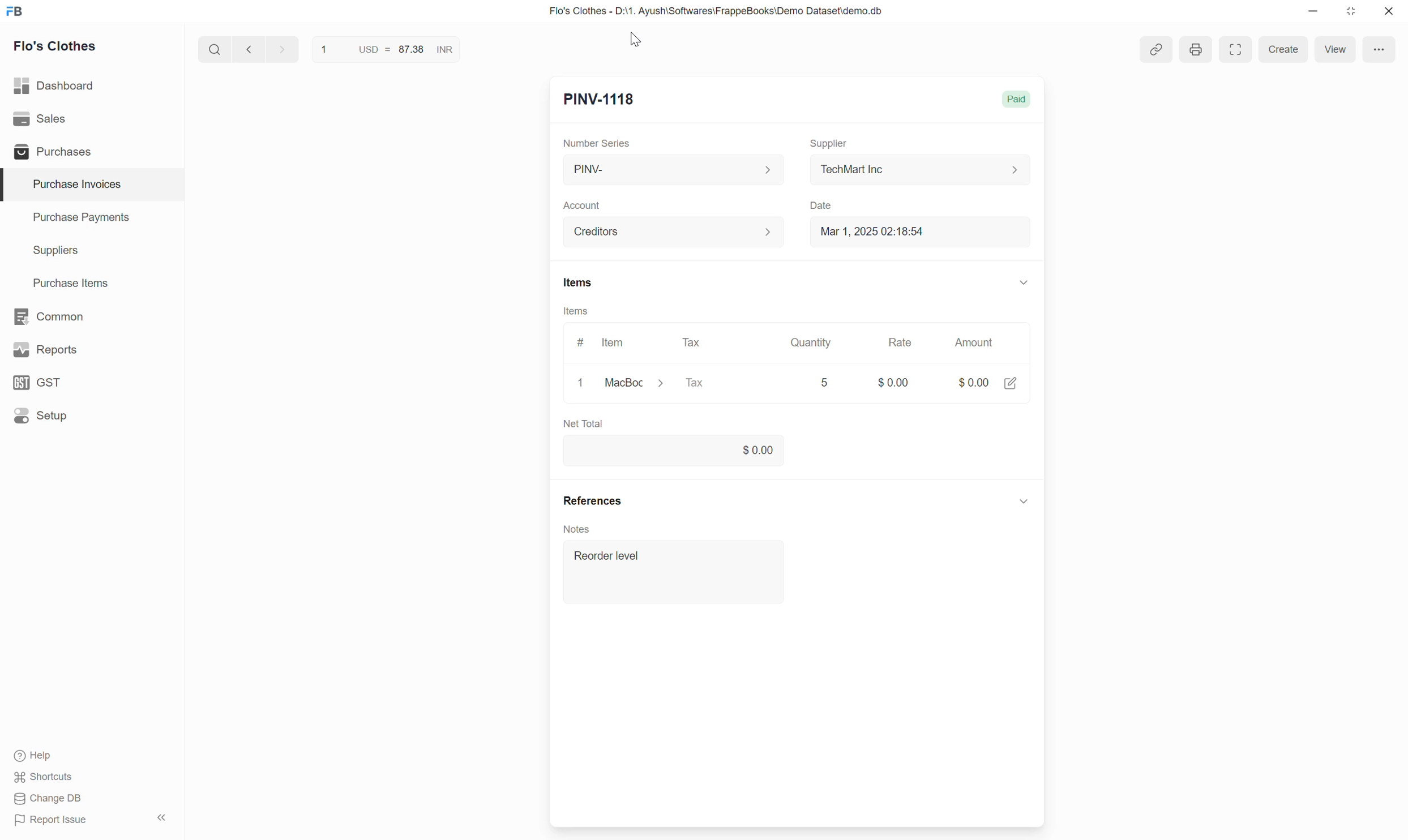  What do you see at coordinates (49, 798) in the screenshot?
I see `Change DB` at bounding box center [49, 798].